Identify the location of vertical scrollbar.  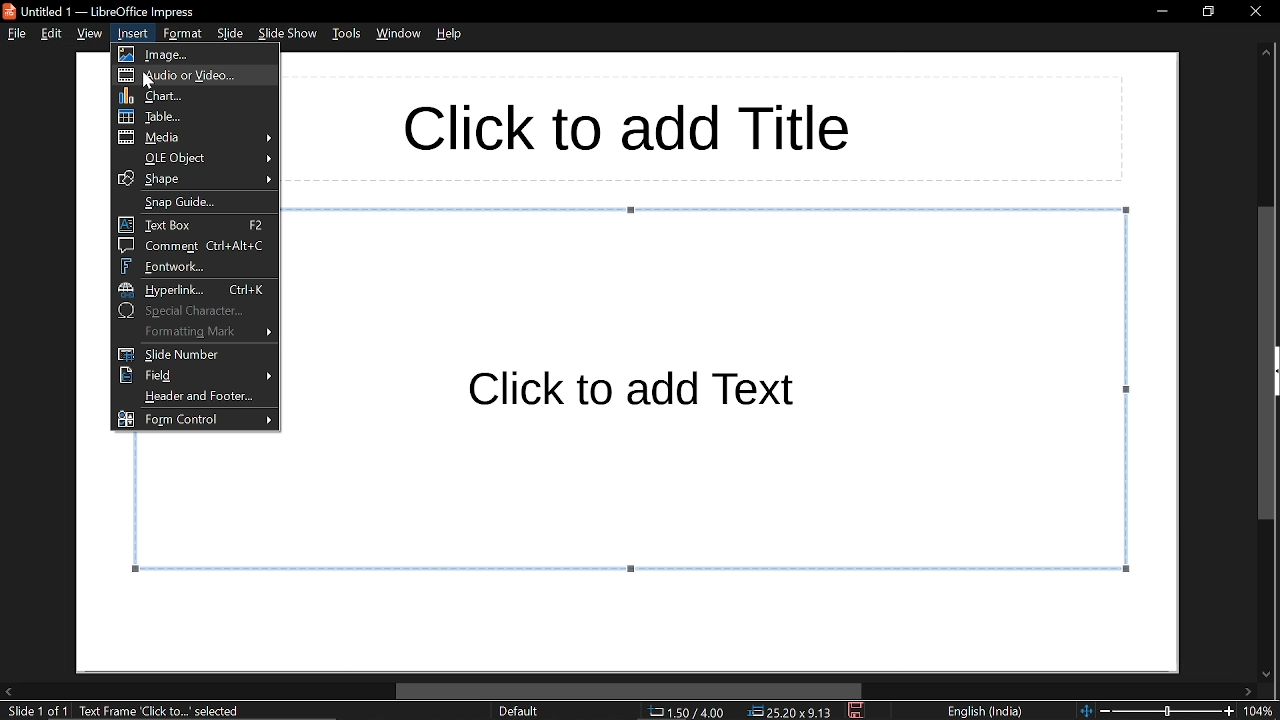
(1270, 361).